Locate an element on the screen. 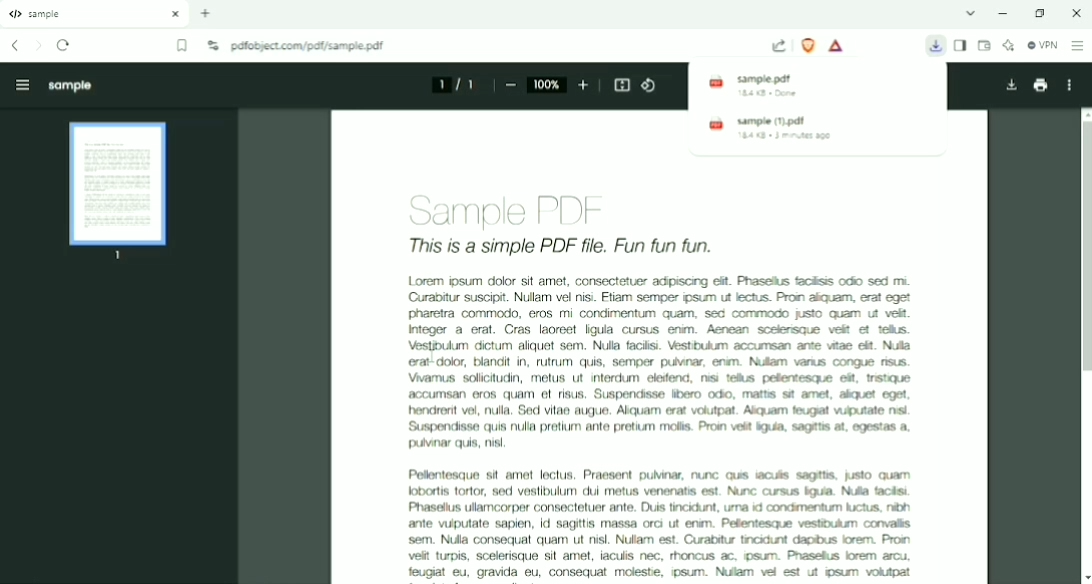 The height and width of the screenshot is (584, 1092). Minimize is located at coordinates (1006, 13).